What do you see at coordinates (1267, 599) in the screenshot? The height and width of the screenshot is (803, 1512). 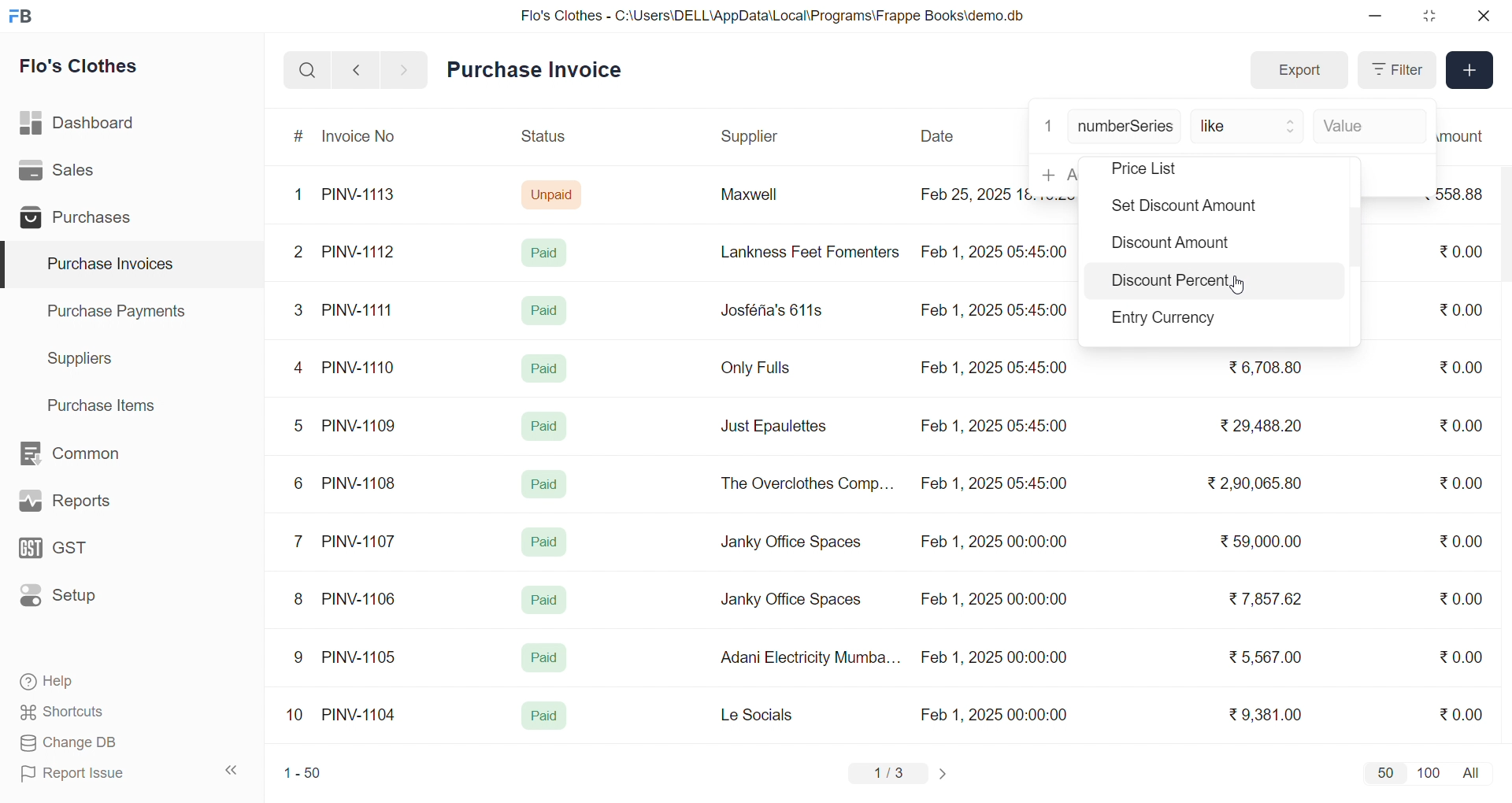 I see `₹ 7,857.62` at bounding box center [1267, 599].